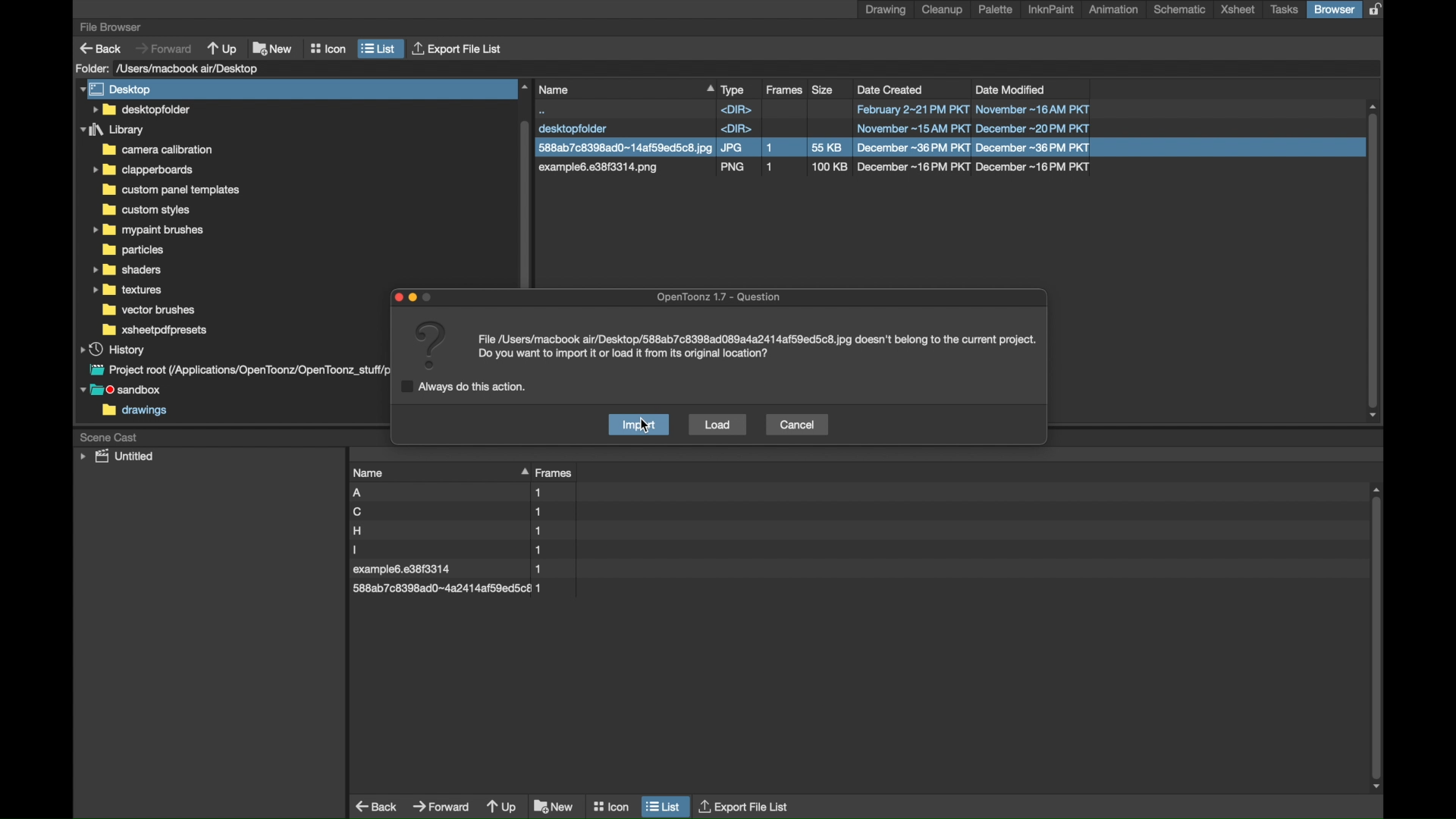 The height and width of the screenshot is (819, 1456). Describe the element at coordinates (718, 424) in the screenshot. I see `load` at that location.